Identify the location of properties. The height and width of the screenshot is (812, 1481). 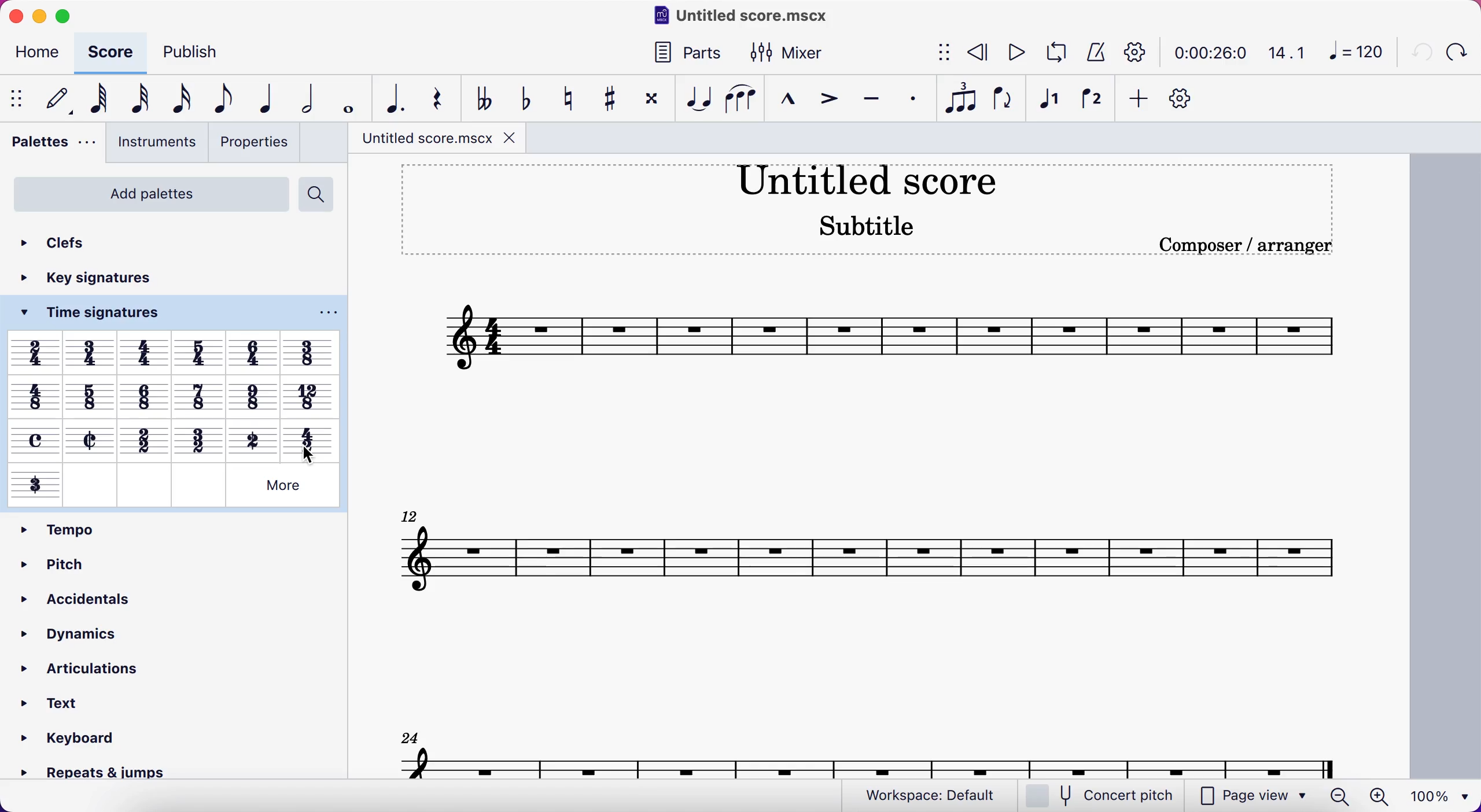
(256, 142).